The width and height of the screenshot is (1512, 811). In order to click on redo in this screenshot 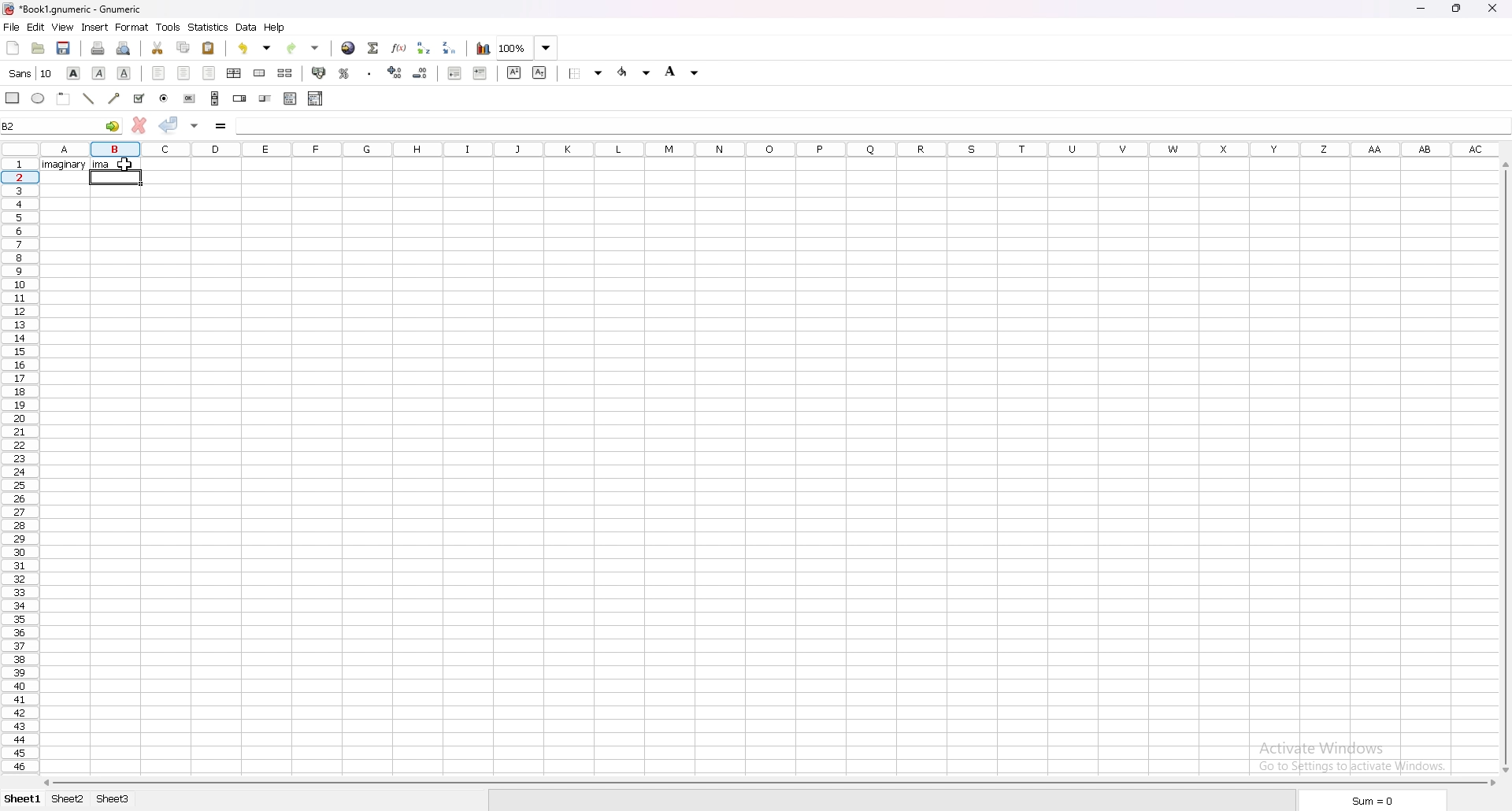, I will do `click(303, 48)`.